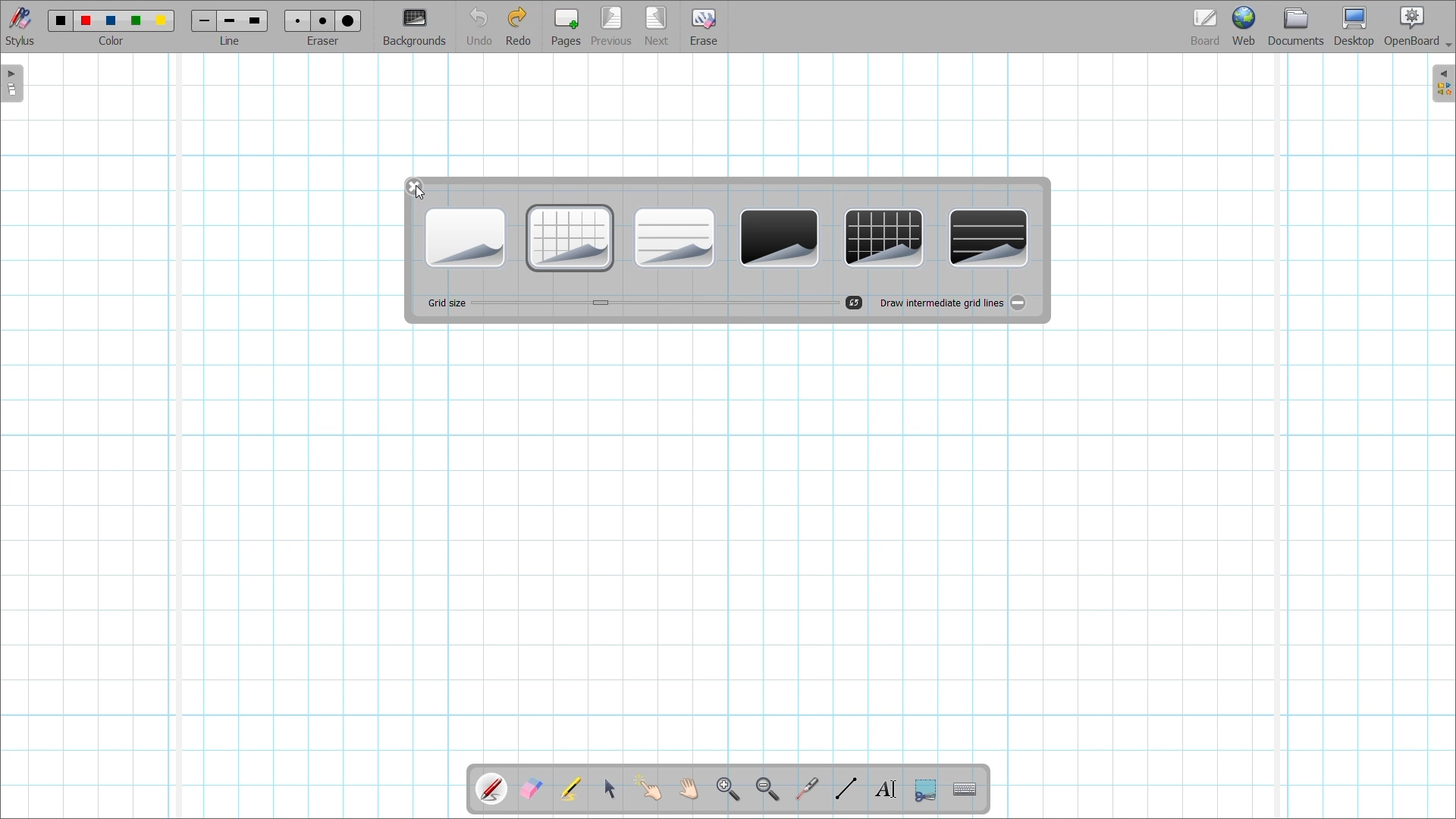 The image size is (1456, 819). Describe the element at coordinates (1244, 26) in the screenshot. I see `Open web` at that location.